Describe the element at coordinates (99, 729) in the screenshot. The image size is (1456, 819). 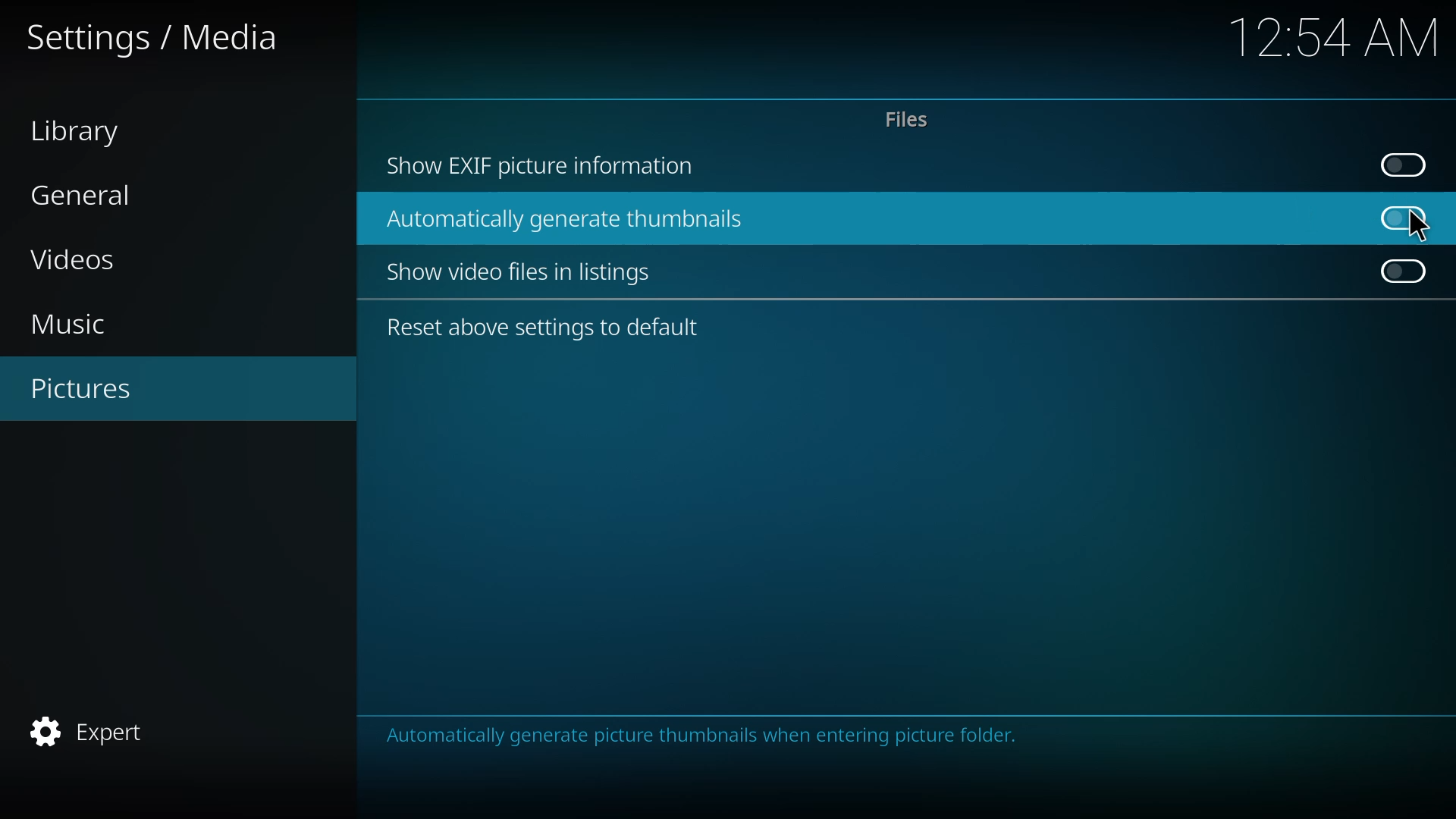
I see `expert` at that location.